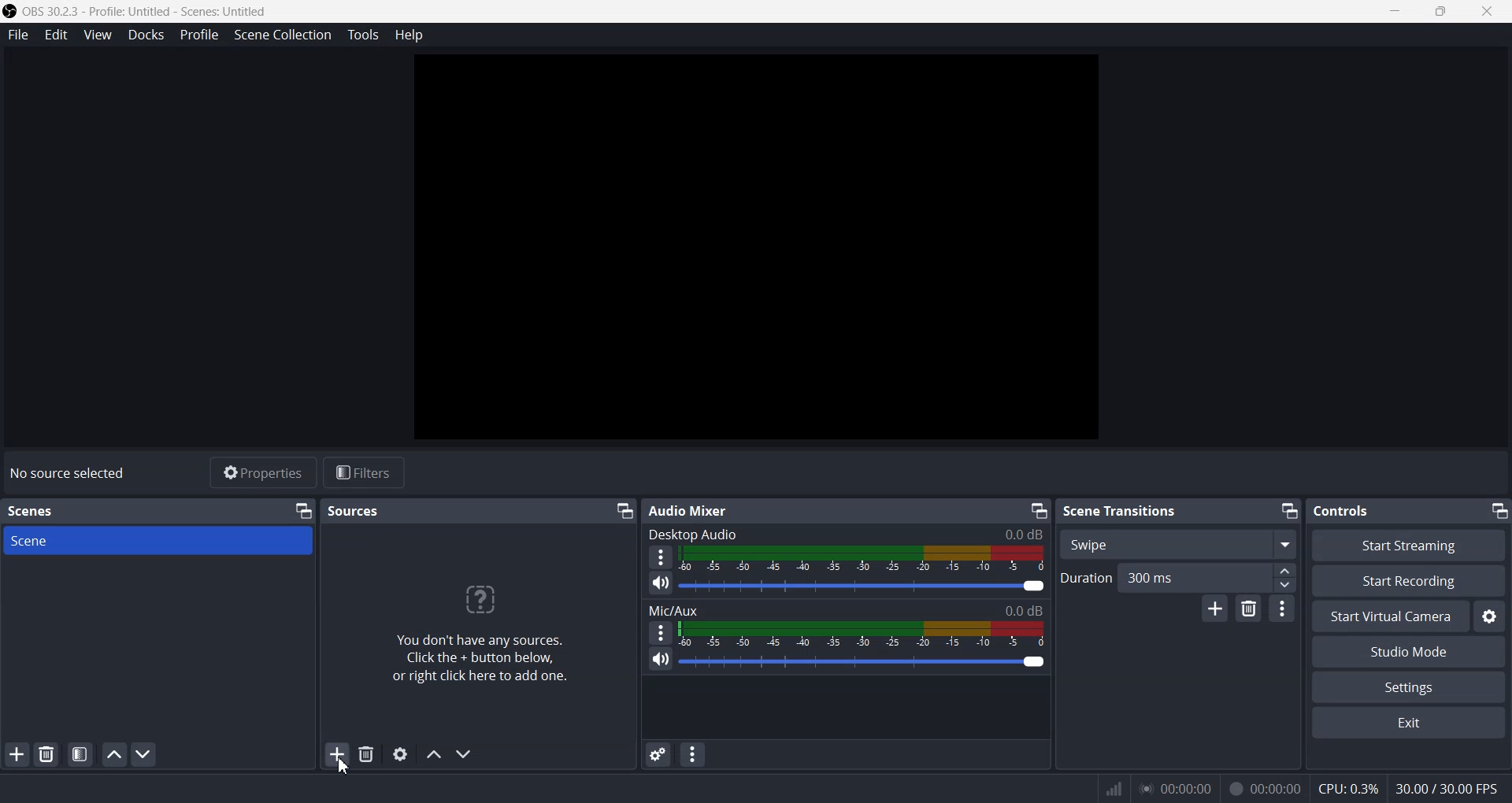 The width and height of the screenshot is (1512, 803). What do you see at coordinates (39, 510) in the screenshot?
I see `Scenes` at bounding box center [39, 510].